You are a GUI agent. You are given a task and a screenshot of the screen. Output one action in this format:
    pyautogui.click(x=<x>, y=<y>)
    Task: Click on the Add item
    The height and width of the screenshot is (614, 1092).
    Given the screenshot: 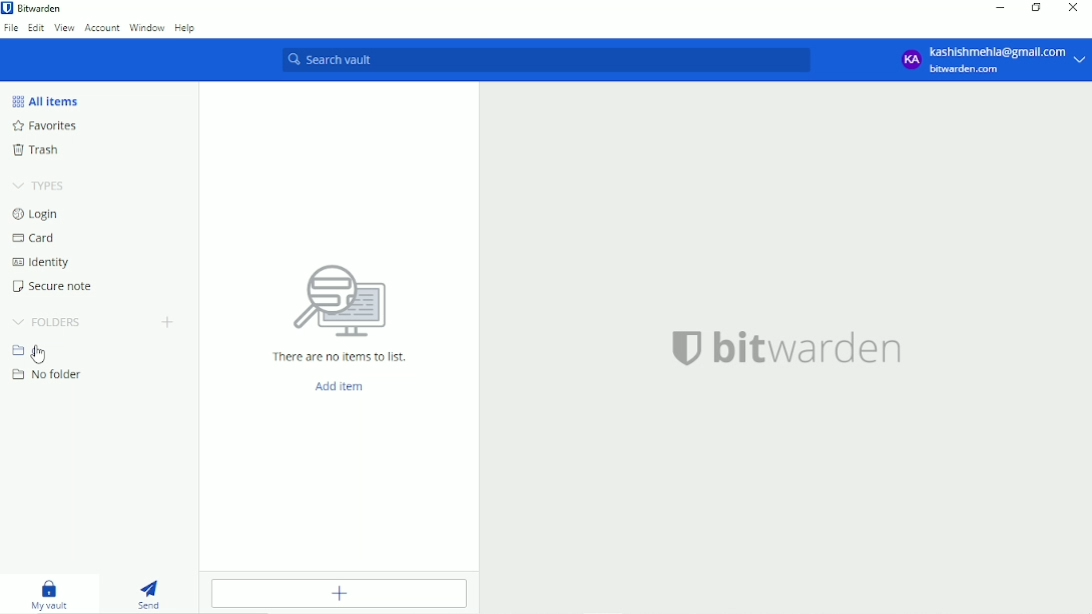 What is the action you would take?
    pyautogui.click(x=340, y=387)
    